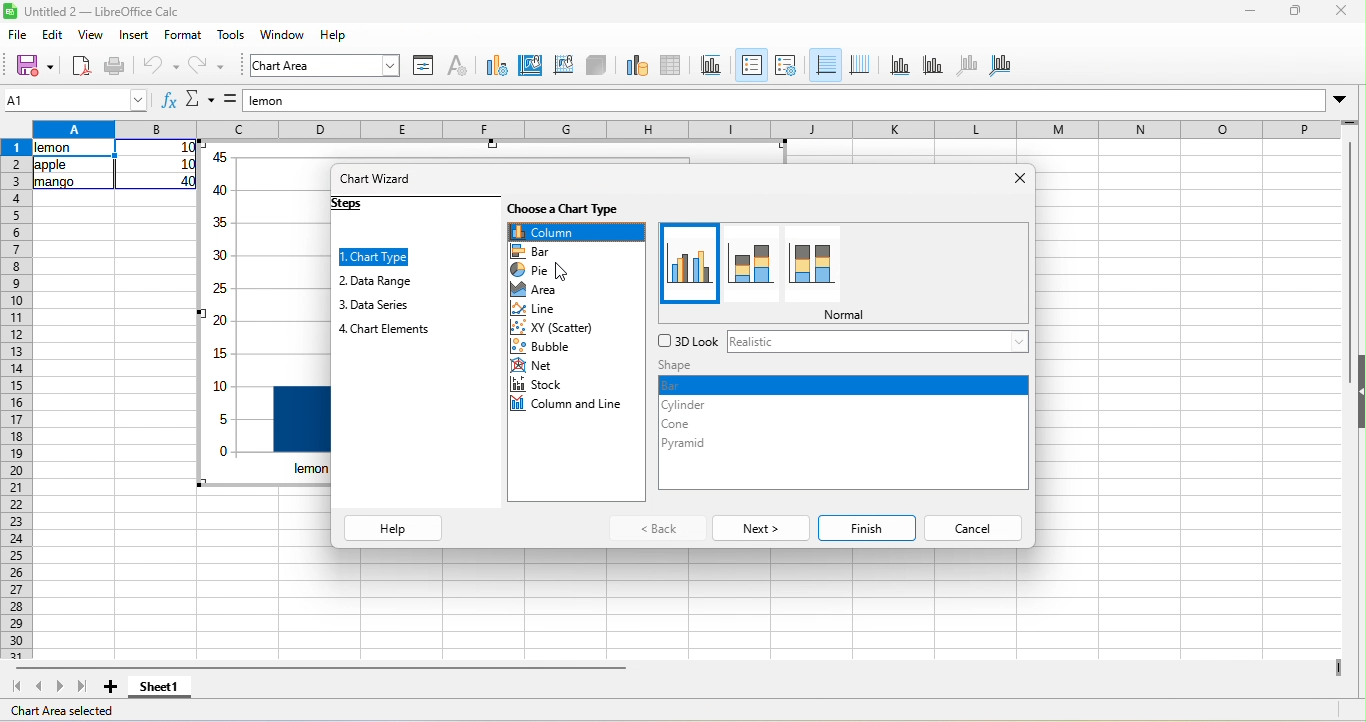  What do you see at coordinates (1337, 13) in the screenshot?
I see `close` at bounding box center [1337, 13].